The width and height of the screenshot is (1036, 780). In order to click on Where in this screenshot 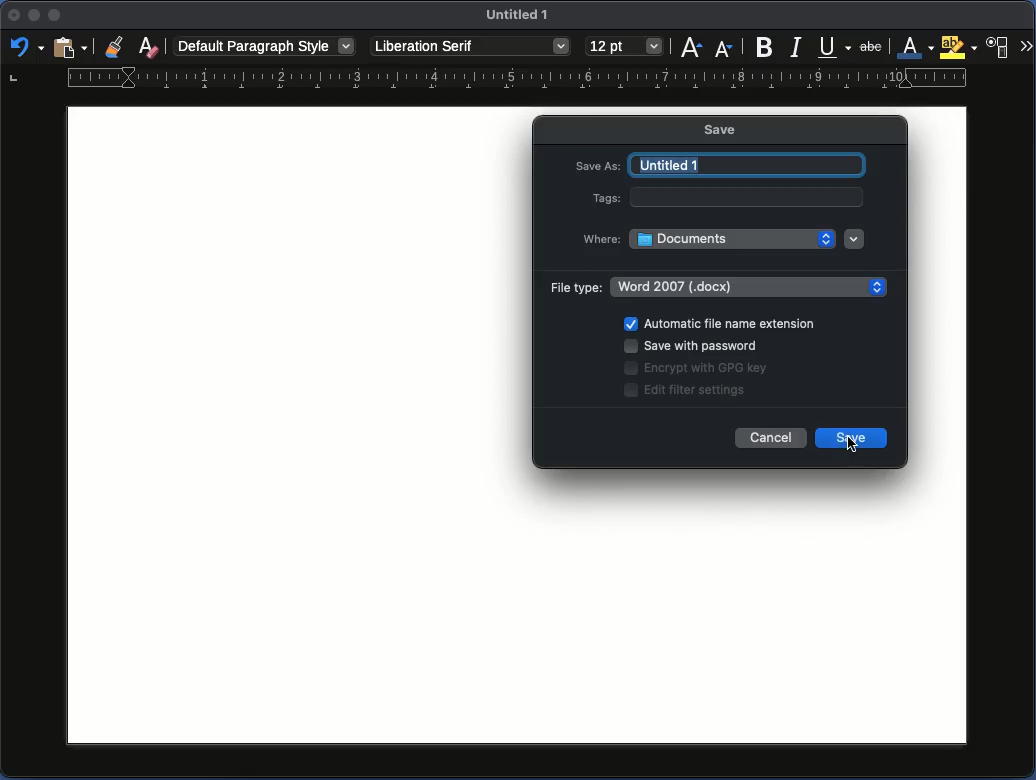, I will do `click(601, 239)`.